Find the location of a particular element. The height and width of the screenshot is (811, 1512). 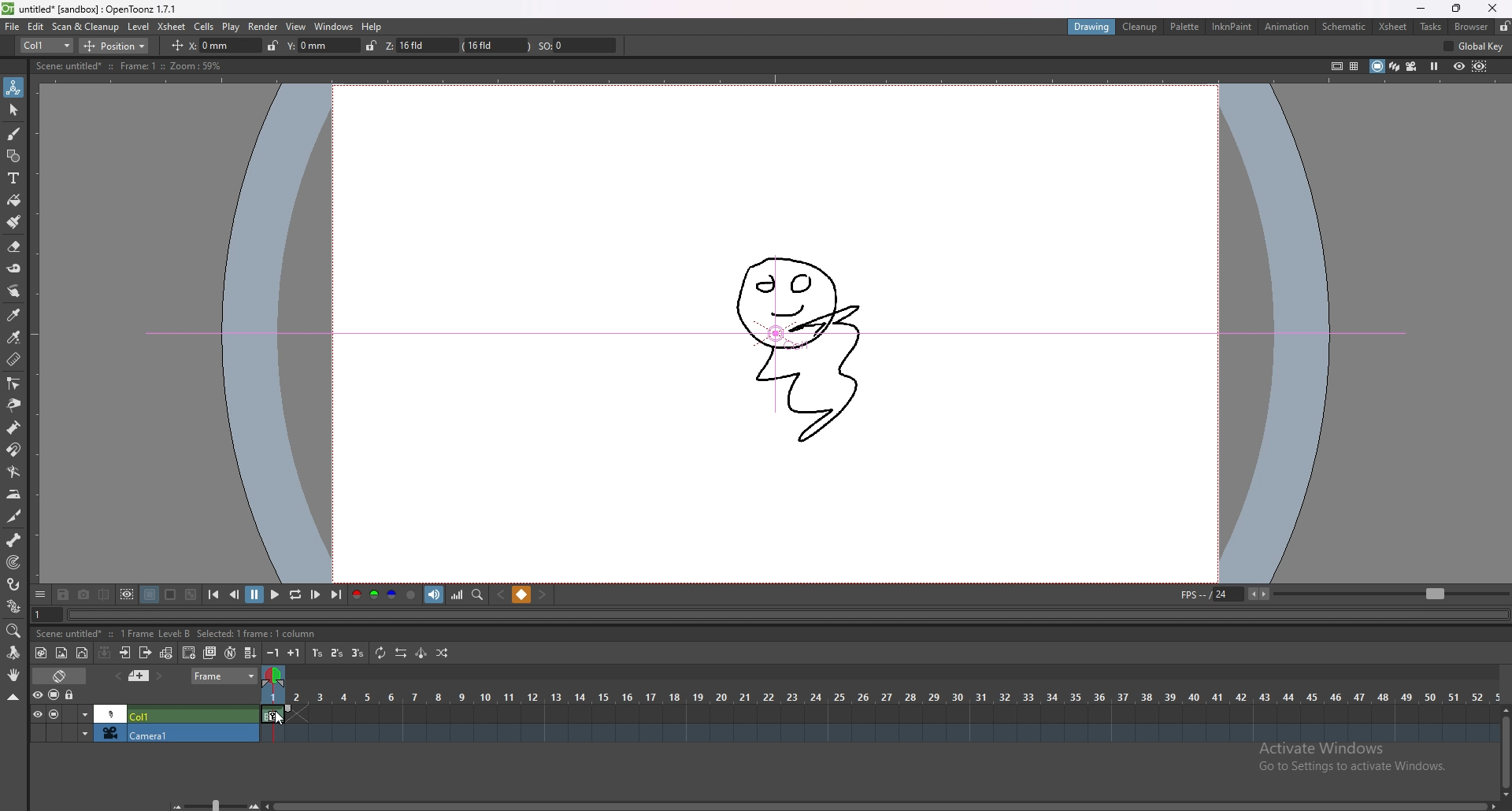

reframe on 2s is located at coordinates (336, 653).